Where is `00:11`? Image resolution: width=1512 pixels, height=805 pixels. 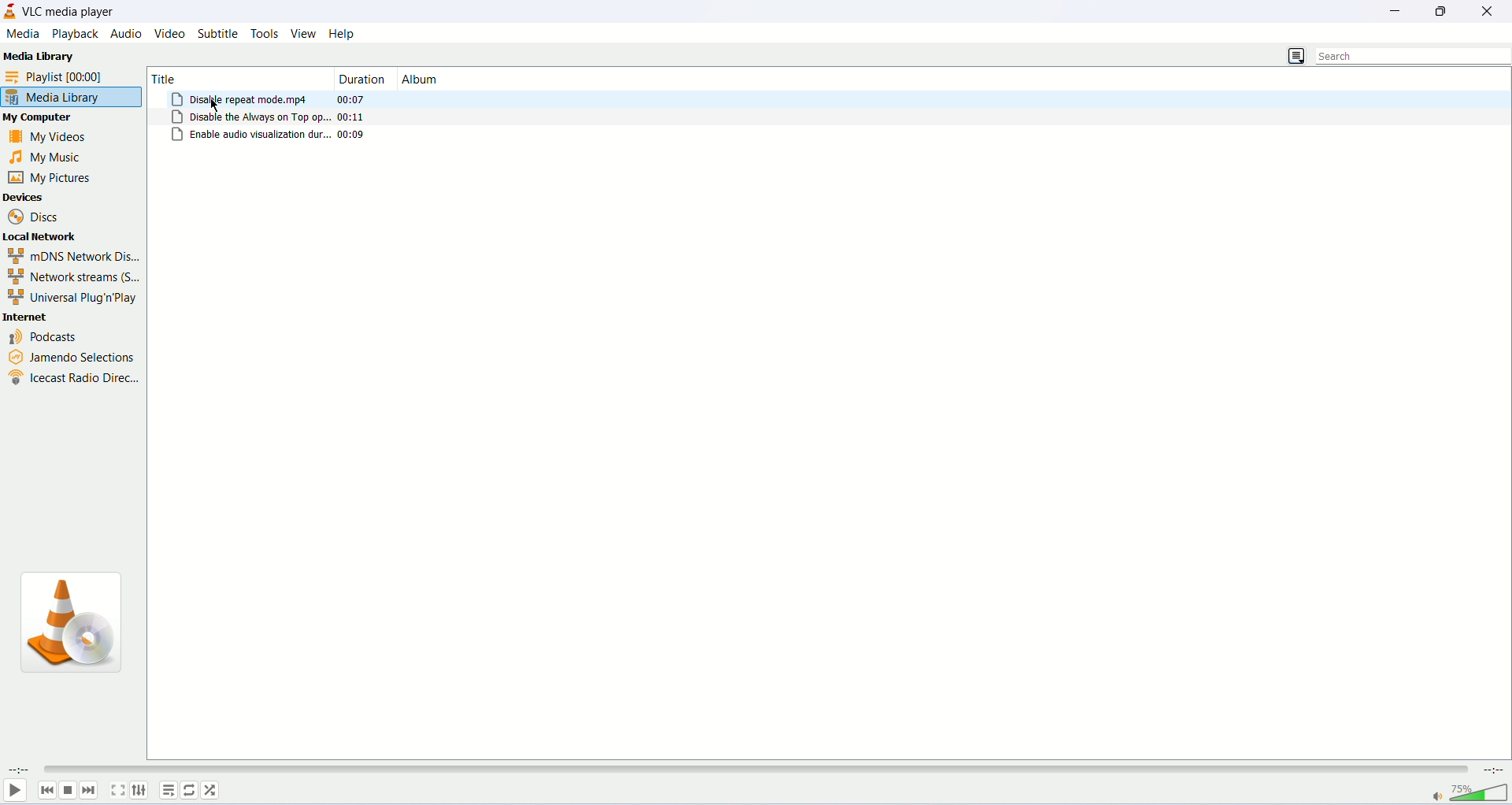 00:11 is located at coordinates (349, 117).